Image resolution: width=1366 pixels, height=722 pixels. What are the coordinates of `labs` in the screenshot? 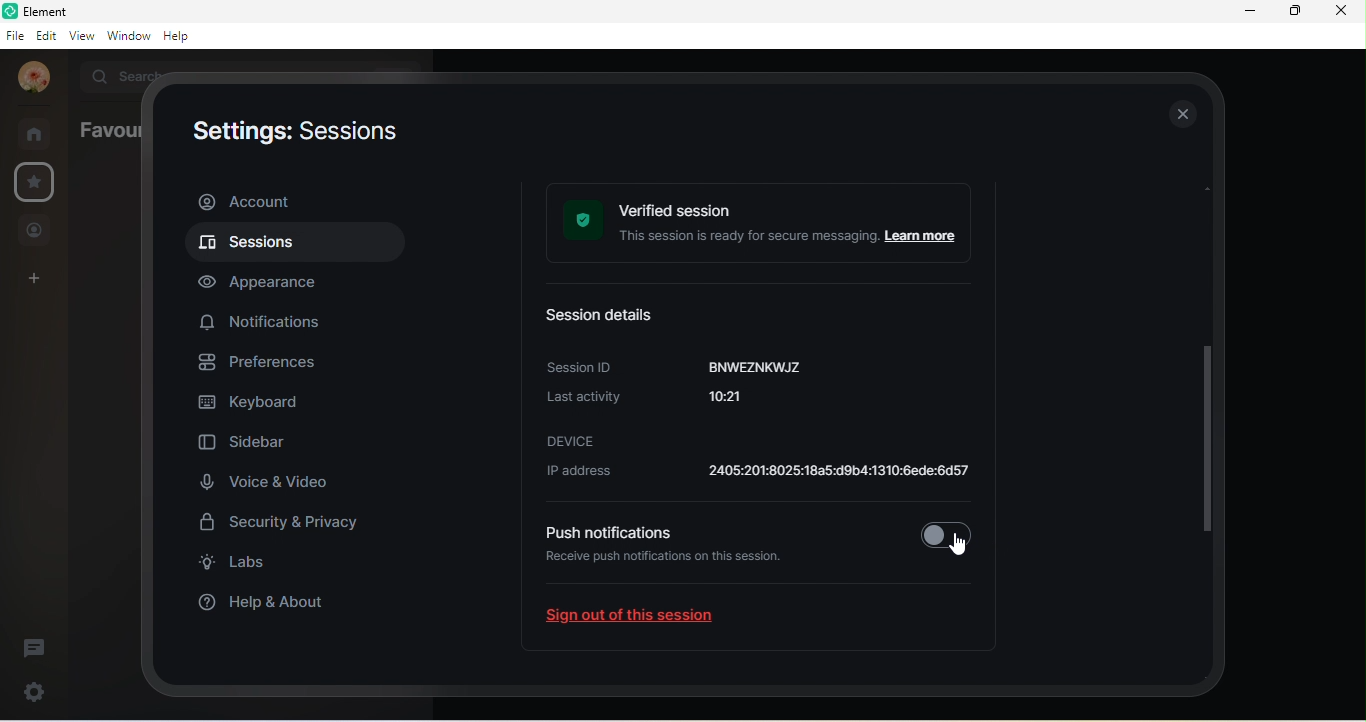 It's located at (241, 565).